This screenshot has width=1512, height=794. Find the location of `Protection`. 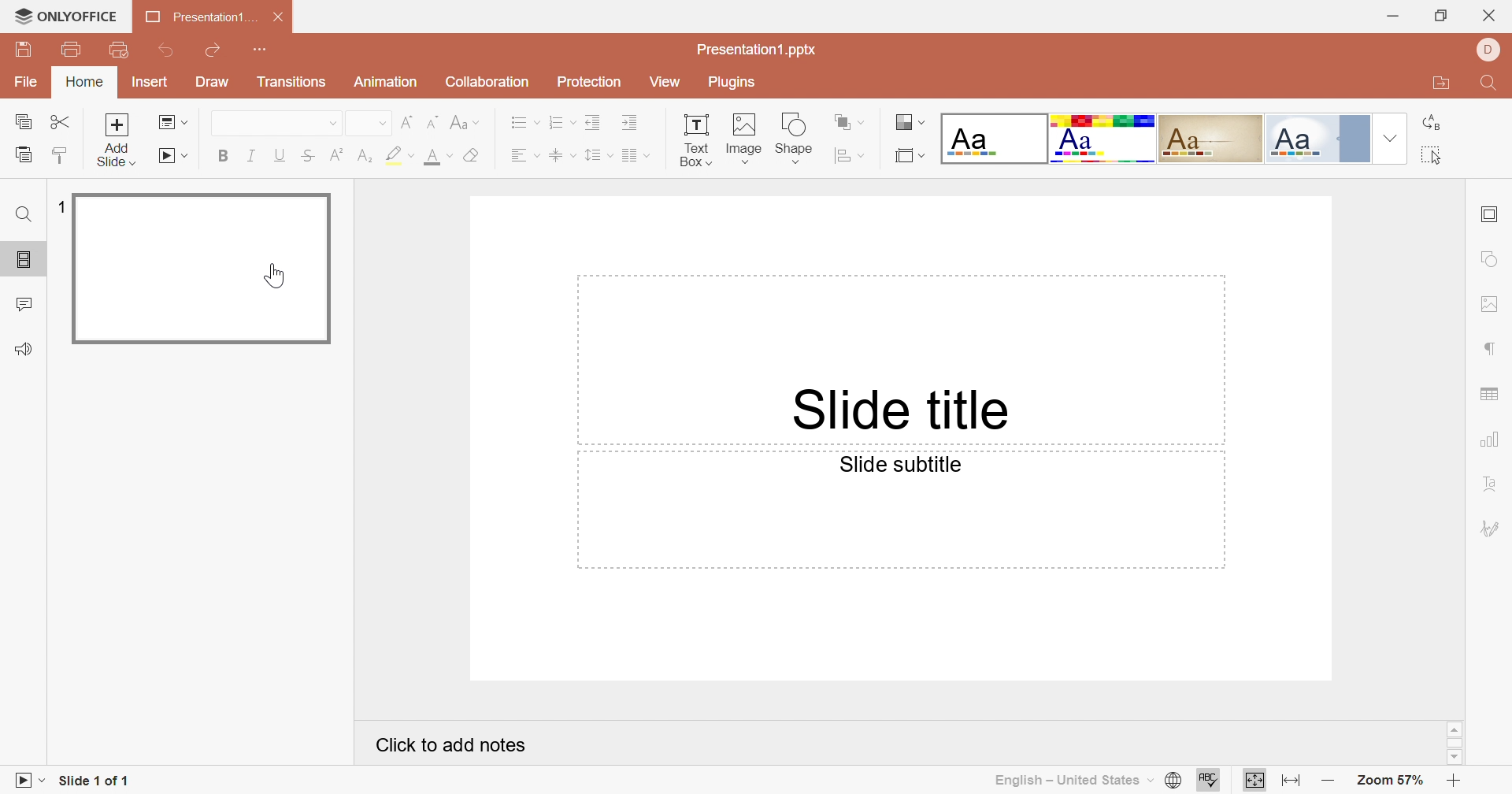

Protection is located at coordinates (591, 83).